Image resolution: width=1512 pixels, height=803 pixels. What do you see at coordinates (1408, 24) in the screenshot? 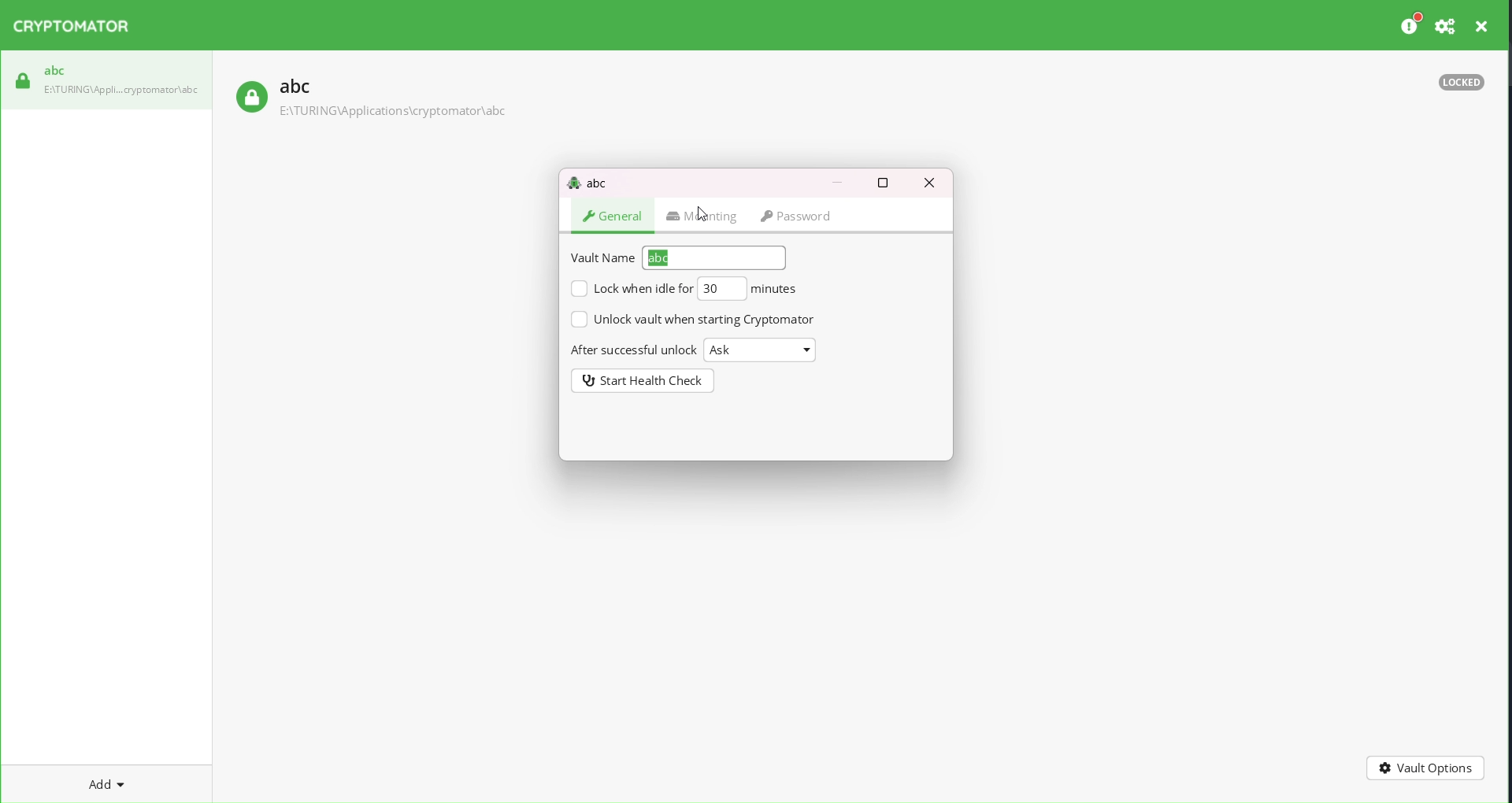
I see `preferences` at bounding box center [1408, 24].